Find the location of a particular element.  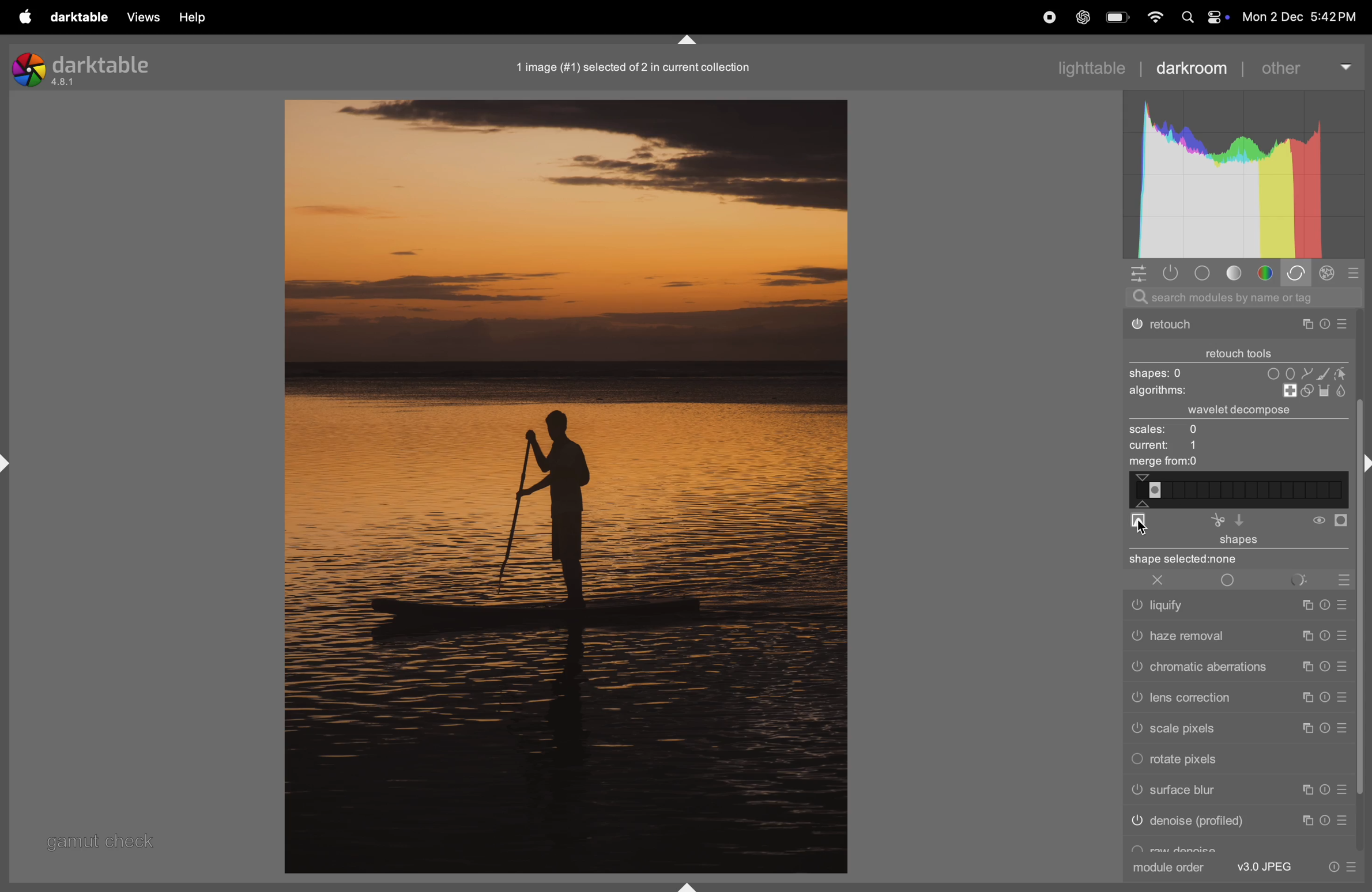

other is located at coordinates (1305, 67).